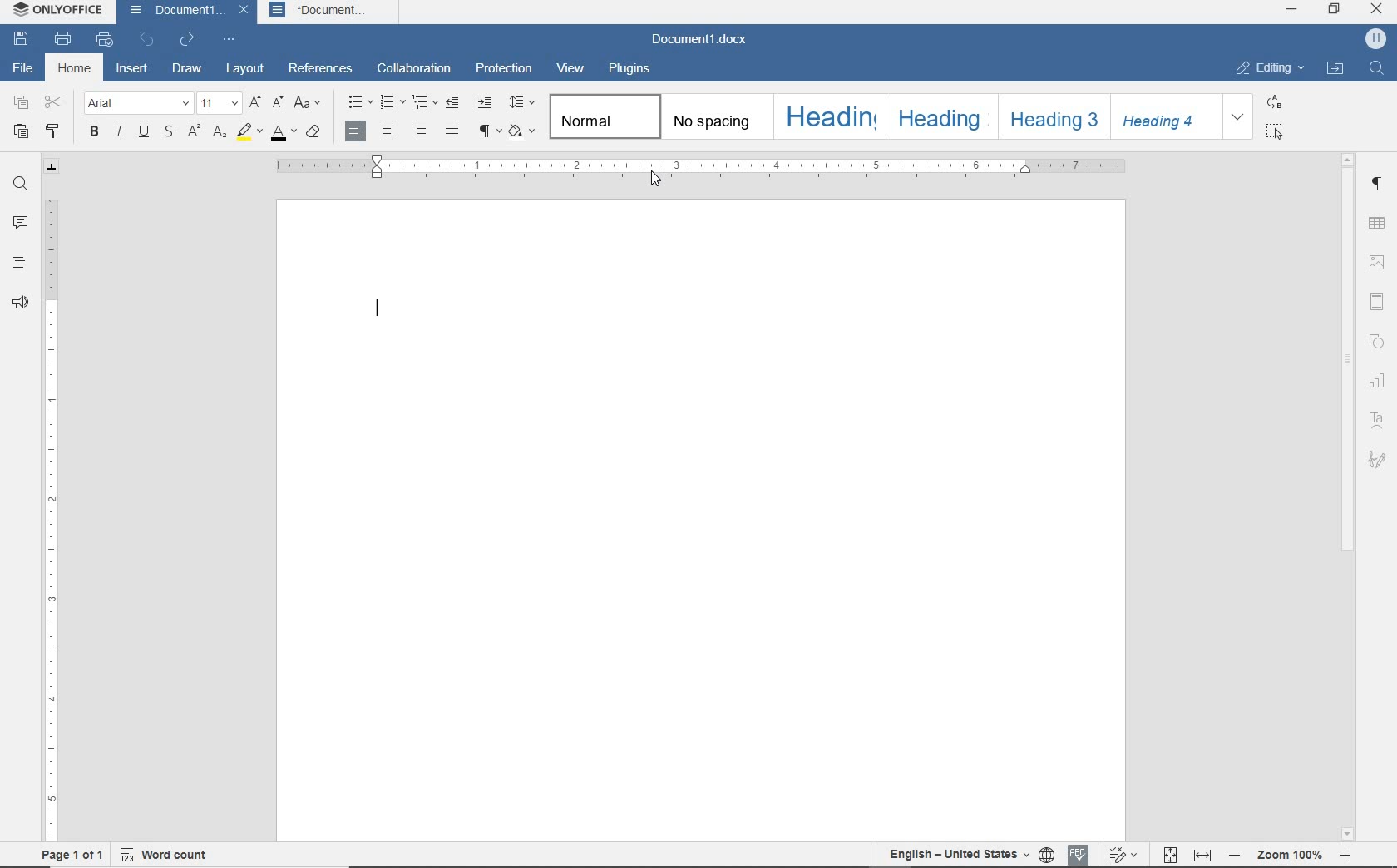 The height and width of the screenshot is (868, 1397). What do you see at coordinates (1335, 67) in the screenshot?
I see `OPEN FILE LOCATION` at bounding box center [1335, 67].